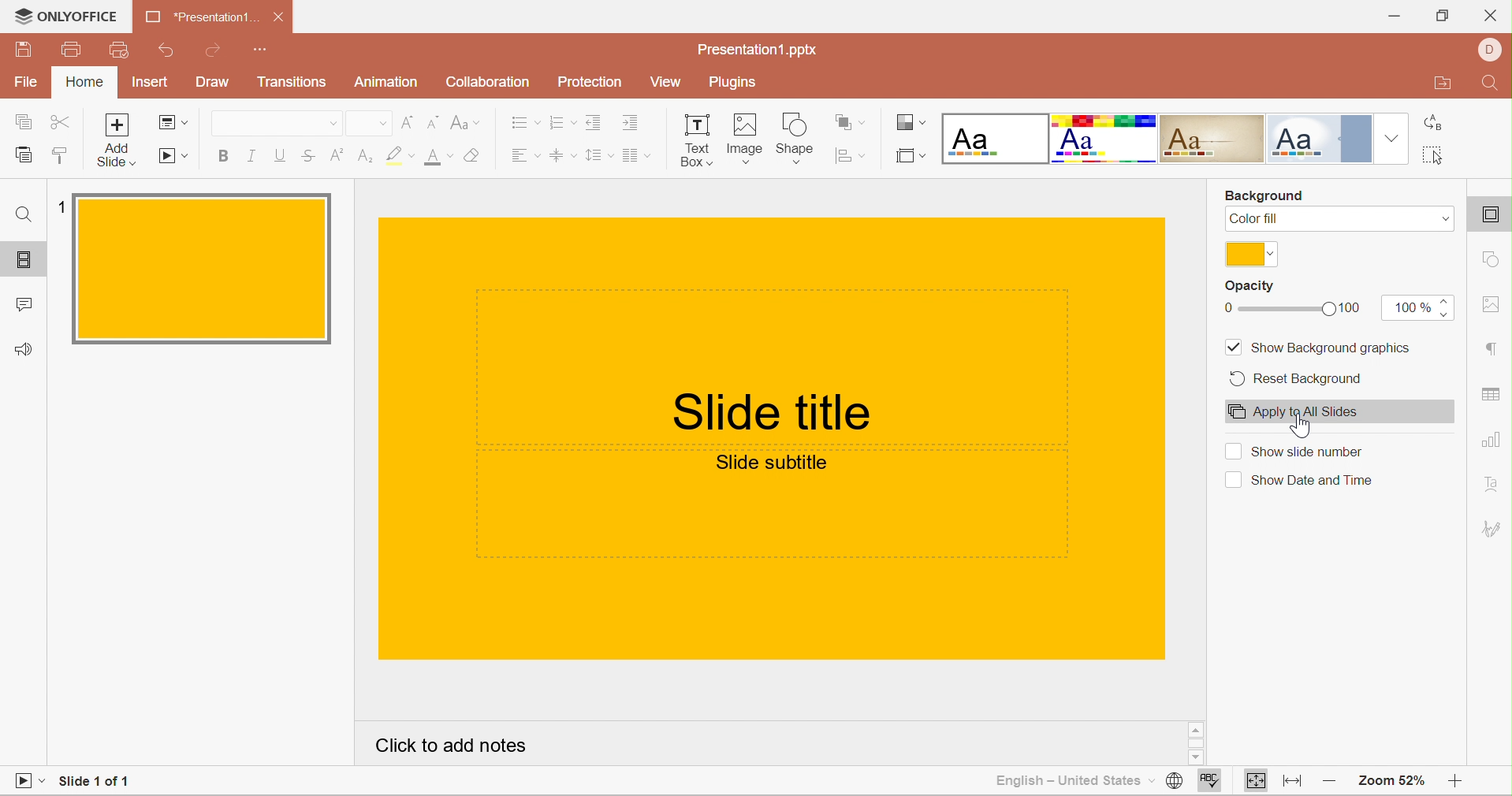 The width and height of the screenshot is (1512, 796). I want to click on ONLYOFFICE, so click(62, 18).